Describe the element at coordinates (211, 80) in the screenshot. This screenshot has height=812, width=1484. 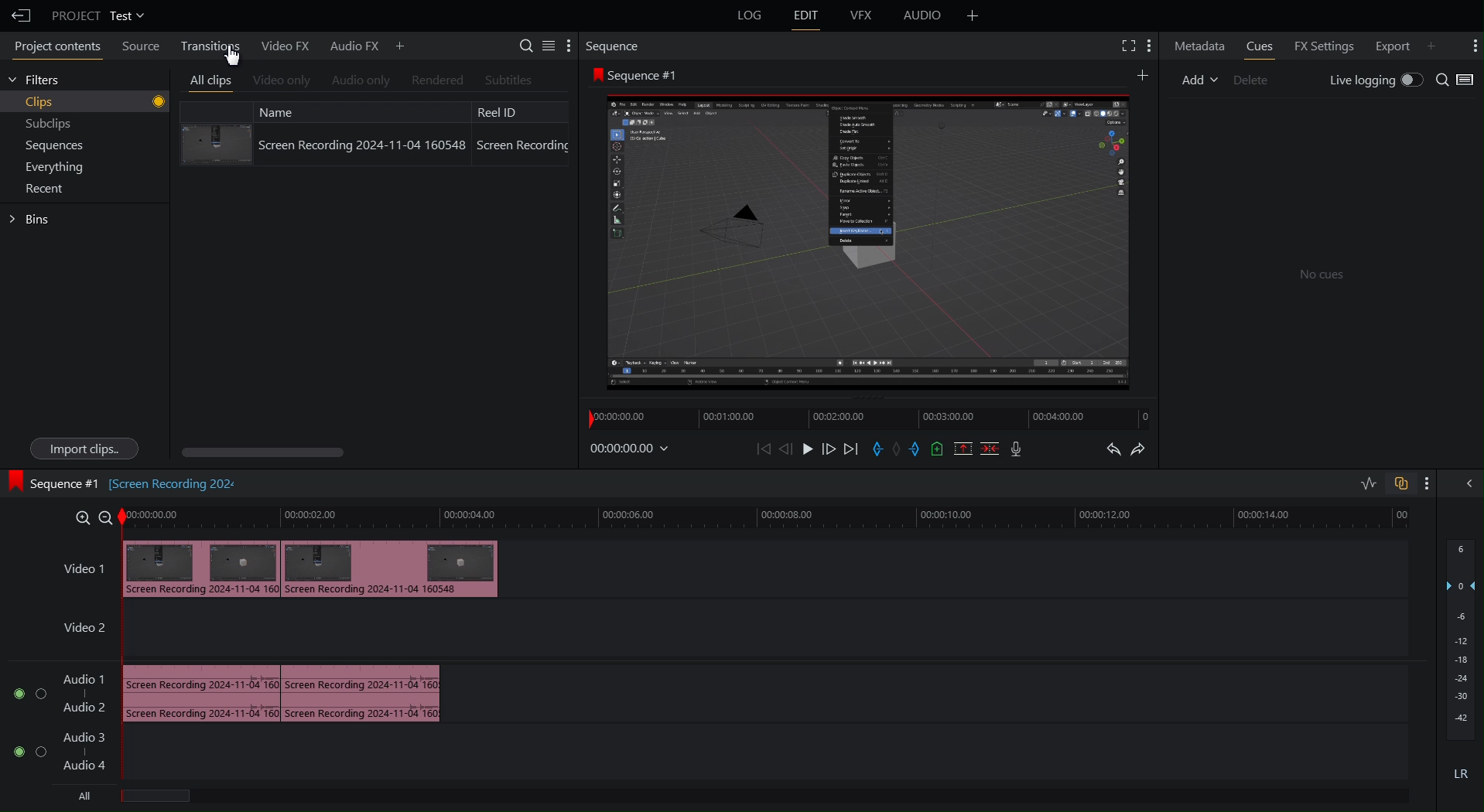
I see `All clips` at that location.